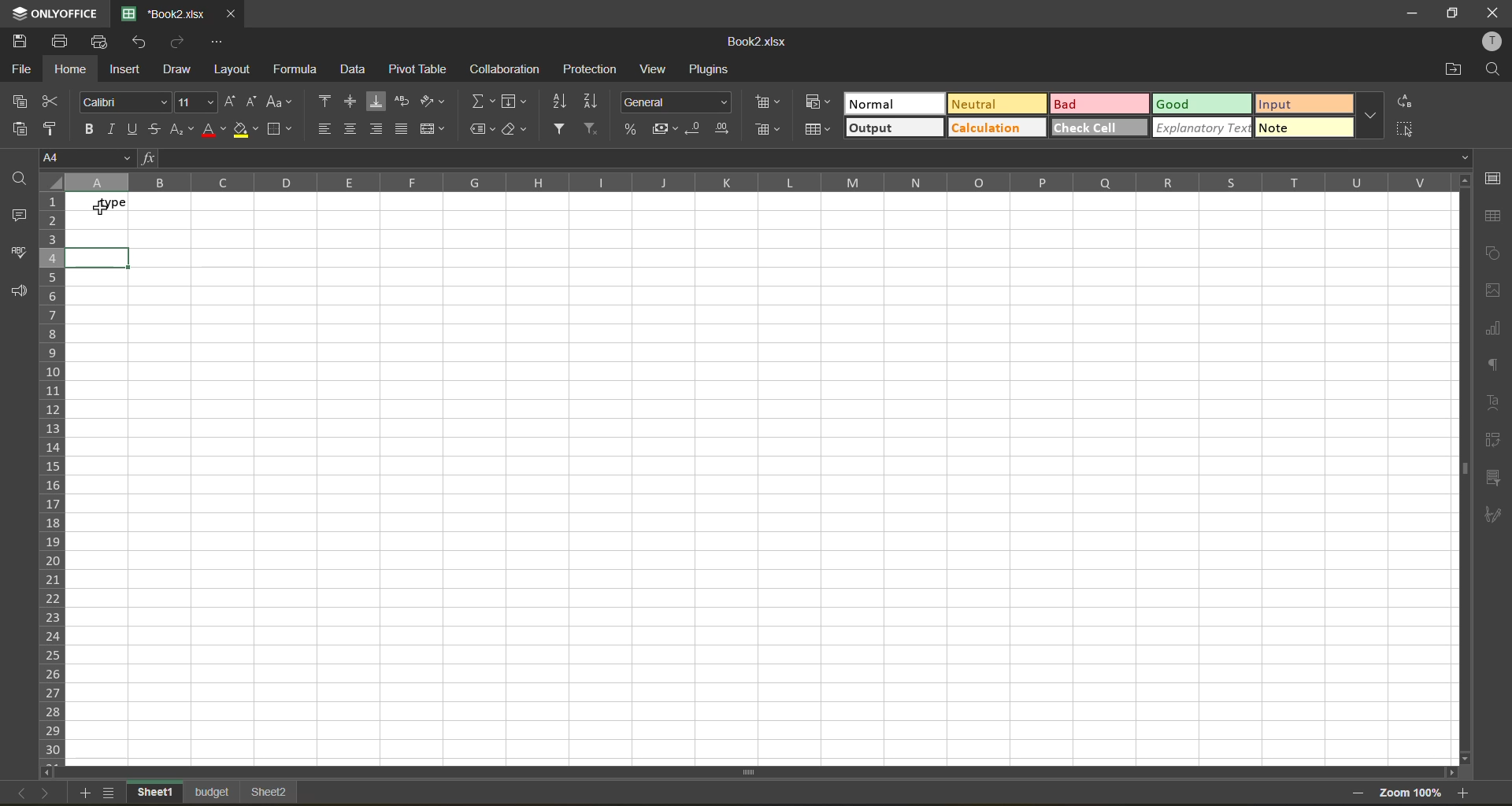  What do you see at coordinates (354, 100) in the screenshot?
I see `align middle` at bounding box center [354, 100].